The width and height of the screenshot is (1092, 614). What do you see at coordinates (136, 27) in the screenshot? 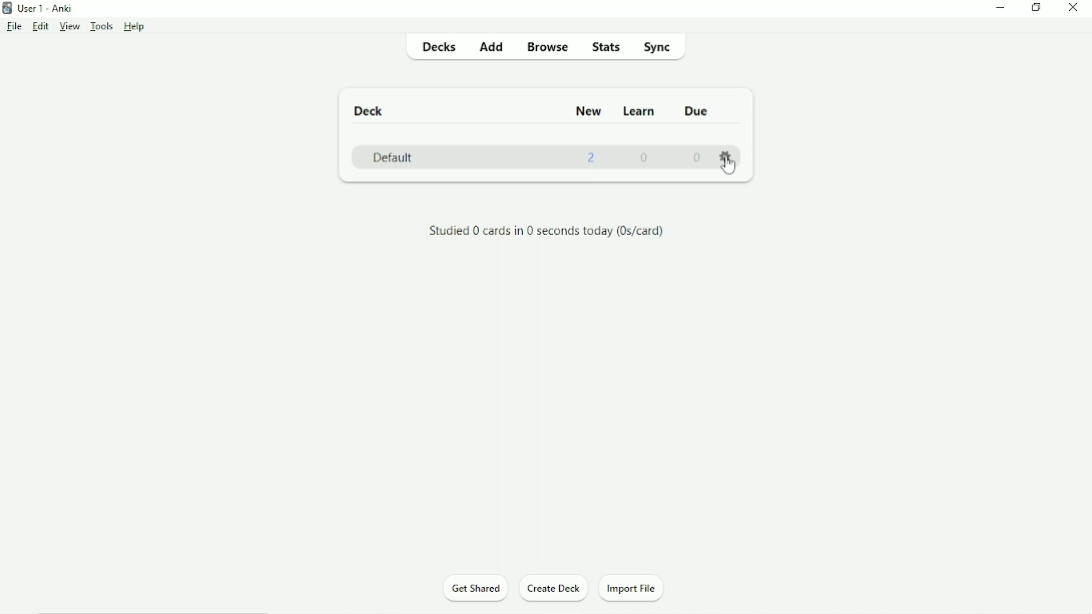
I see `Help` at bounding box center [136, 27].